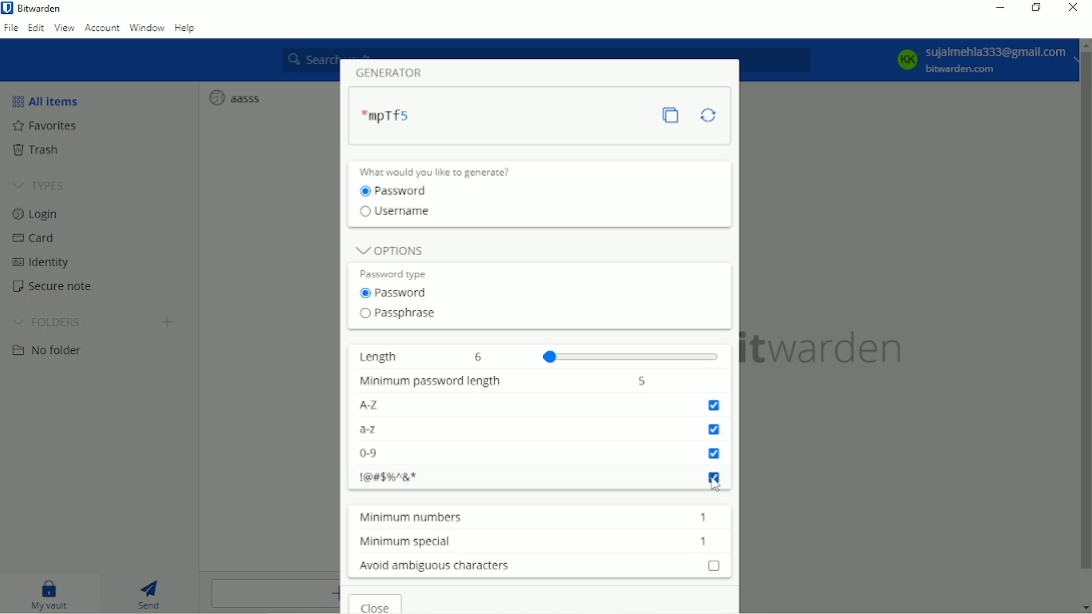 The height and width of the screenshot is (614, 1092). Describe the element at coordinates (386, 406) in the screenshot. I see `A-Z` at that location.